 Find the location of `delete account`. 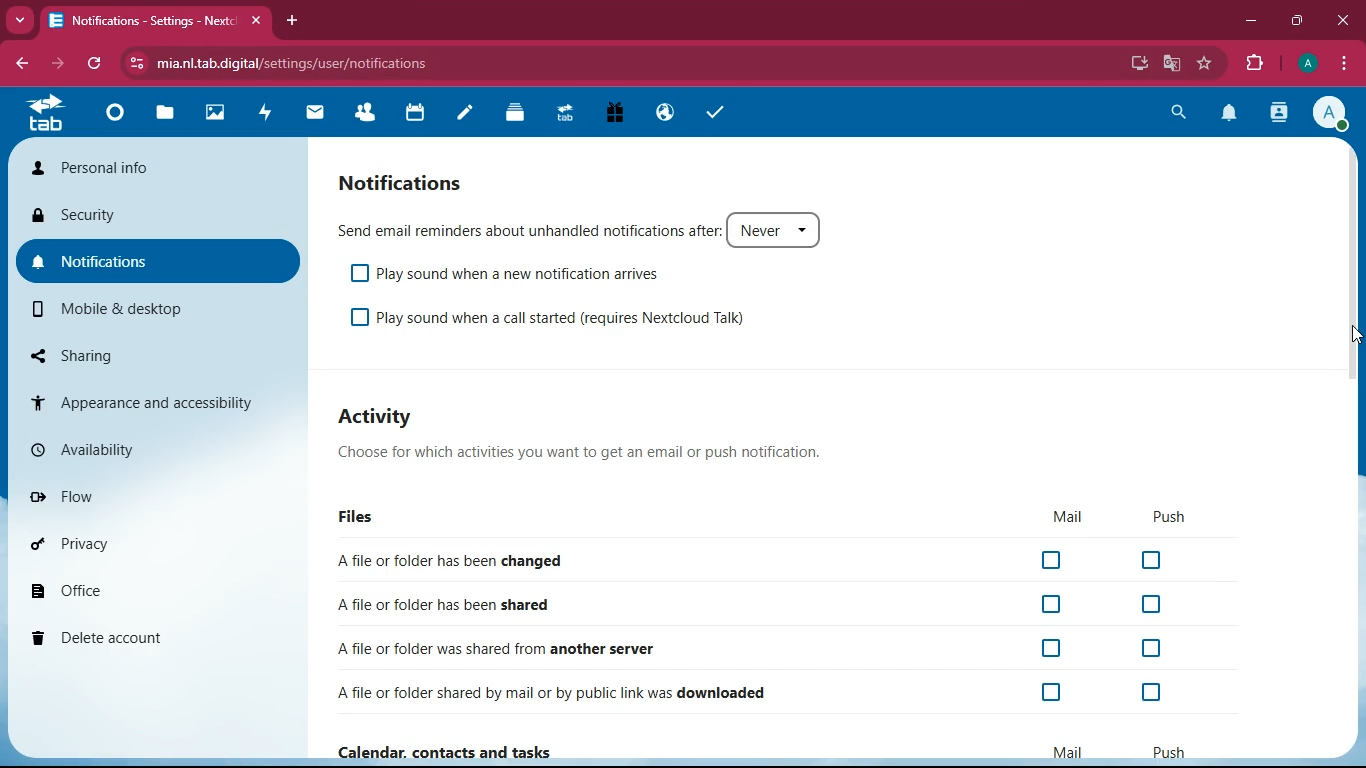

delete account is located at coordinates (153, 640).